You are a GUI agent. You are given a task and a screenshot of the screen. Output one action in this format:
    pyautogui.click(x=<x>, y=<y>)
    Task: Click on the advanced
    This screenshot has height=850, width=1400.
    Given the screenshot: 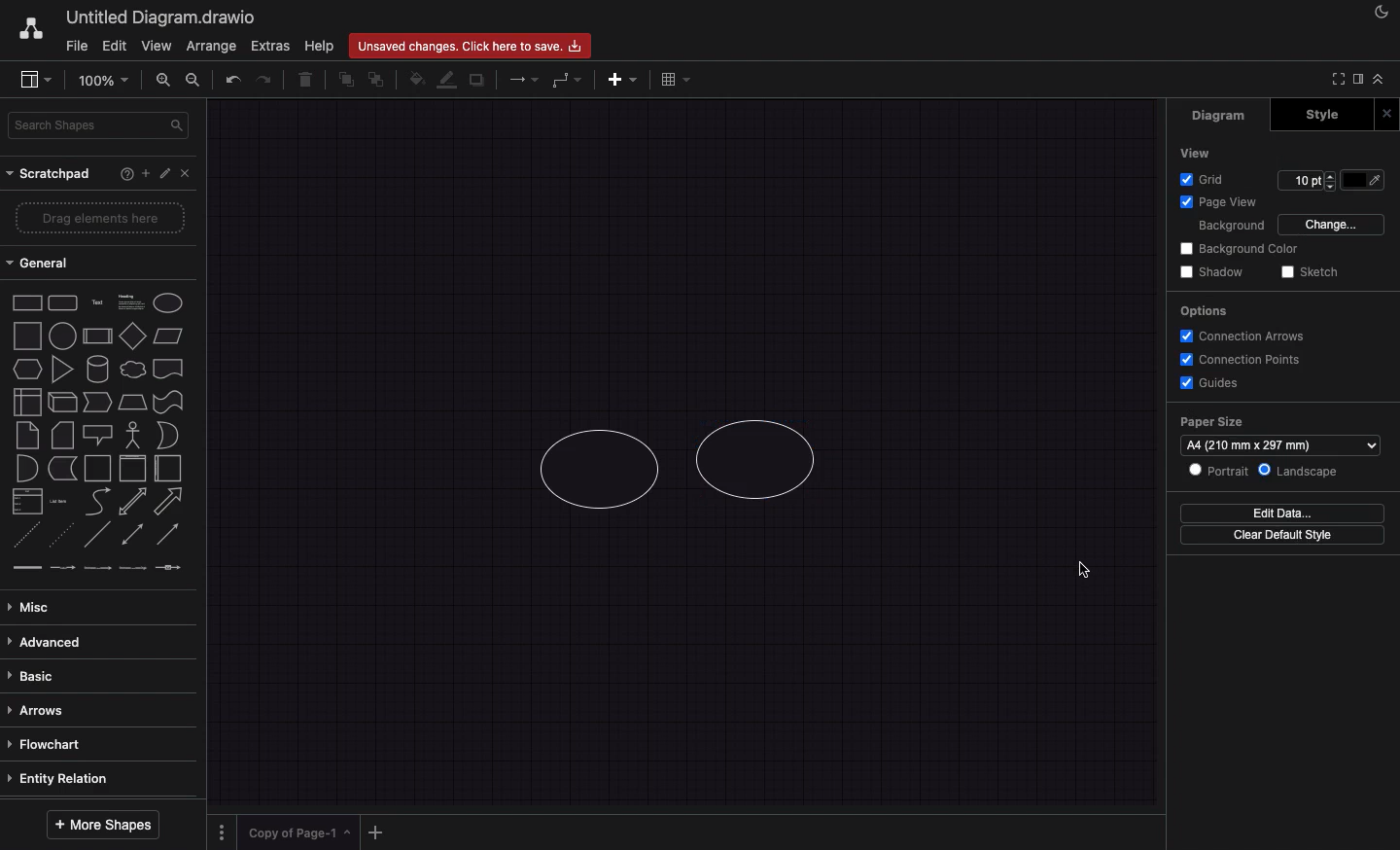 What is the action you would take?
    pyautogui.click(x=95, y=643)
    